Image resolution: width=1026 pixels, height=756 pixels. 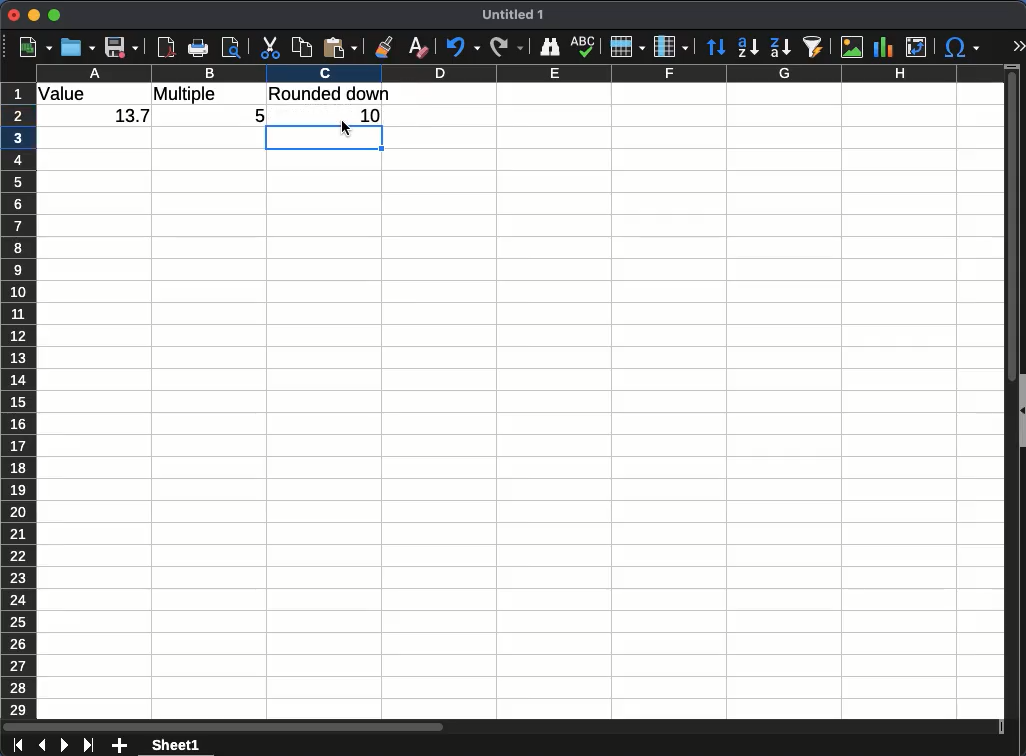 What do you see at coordinates (550, 48) in the screenshot?
I see `finder` at bounding box center [550, 48].